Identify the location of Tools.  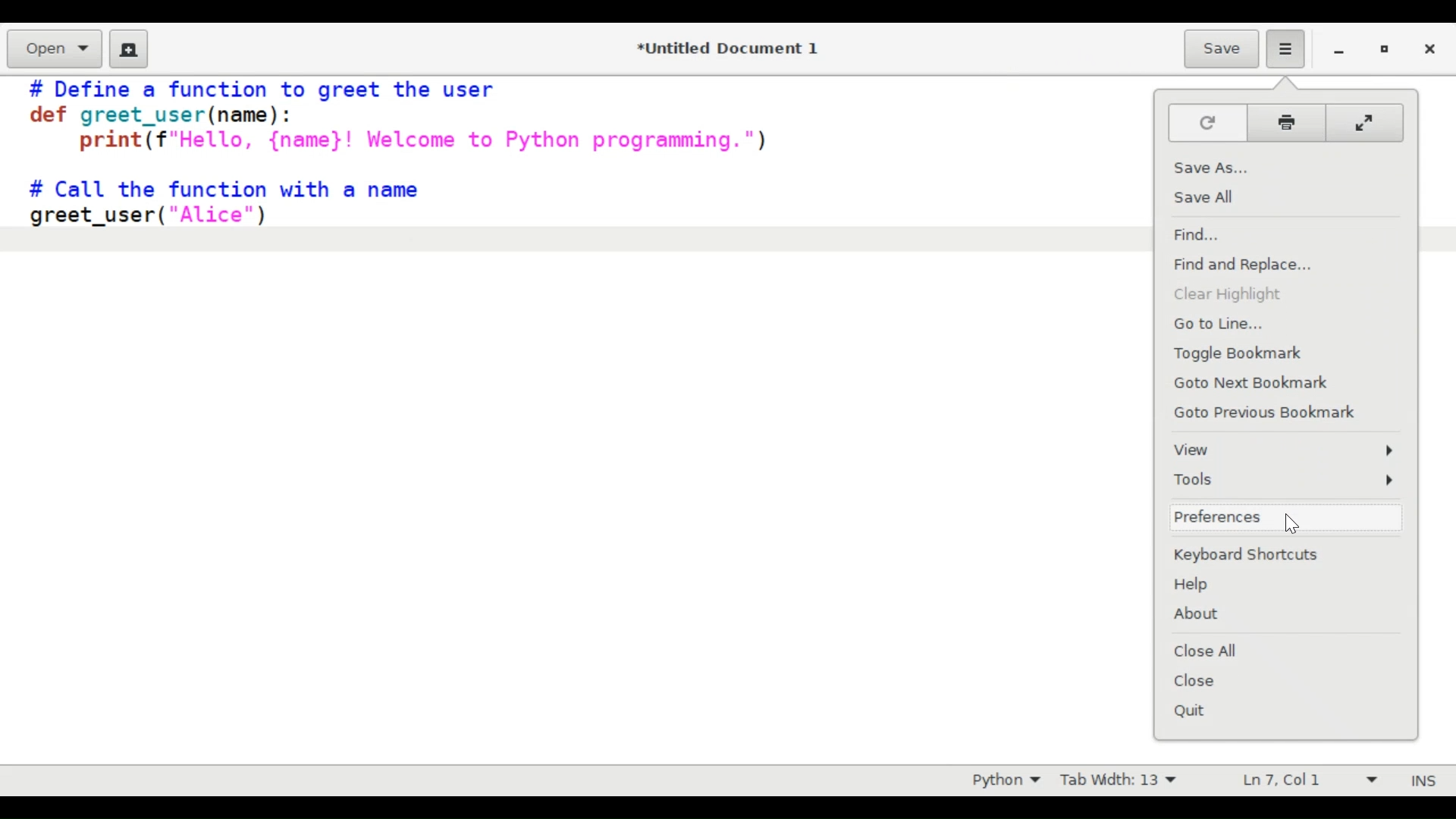
(1282, 479).